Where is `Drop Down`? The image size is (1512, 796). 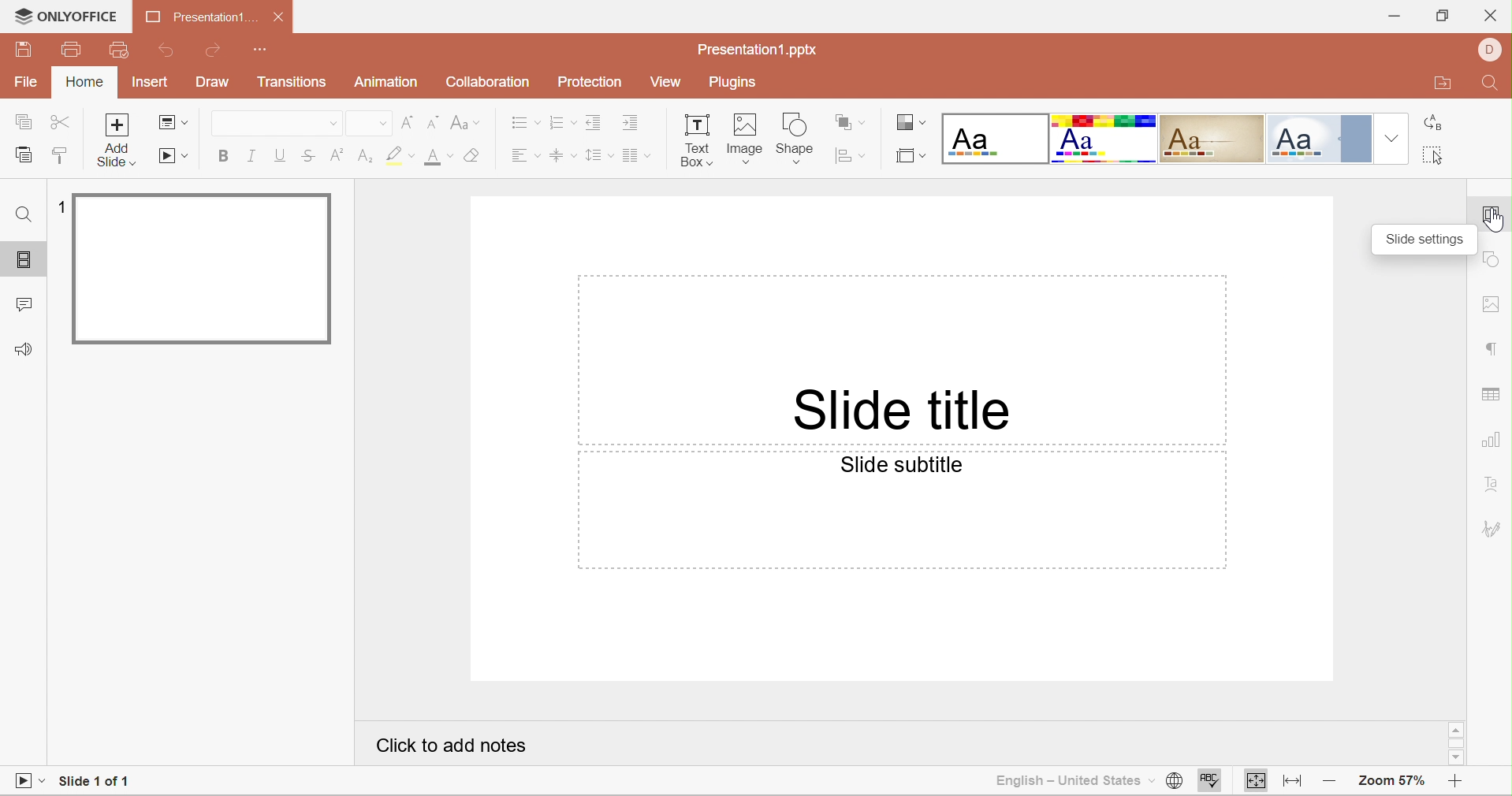
Drop Down is located at coordinates (381, 124).